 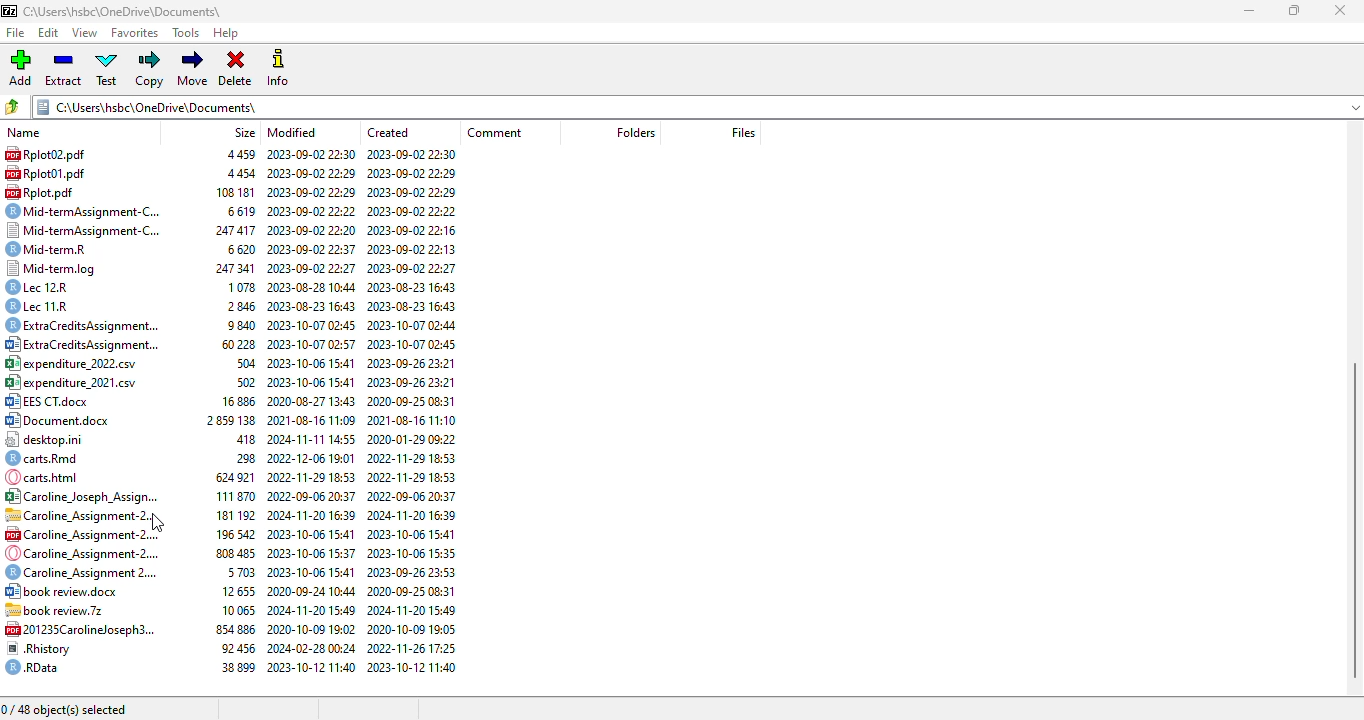 What do you see at coordinates (312, 647) in the screenshot?
I see `2024-02-28 00:24` at bounding box center [312, 647].